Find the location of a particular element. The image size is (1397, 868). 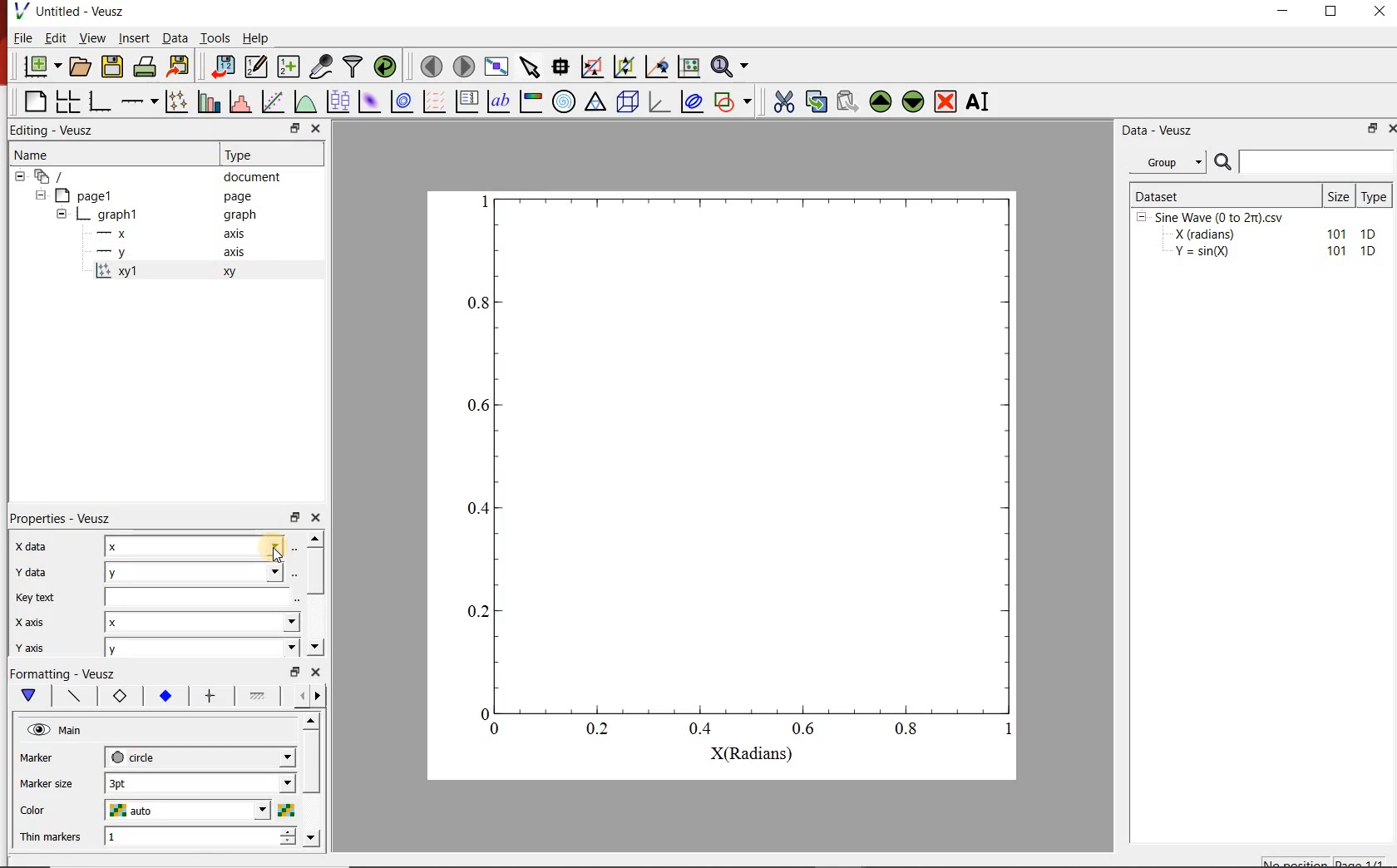

plot bar charts is located at coordinates (211, 100).